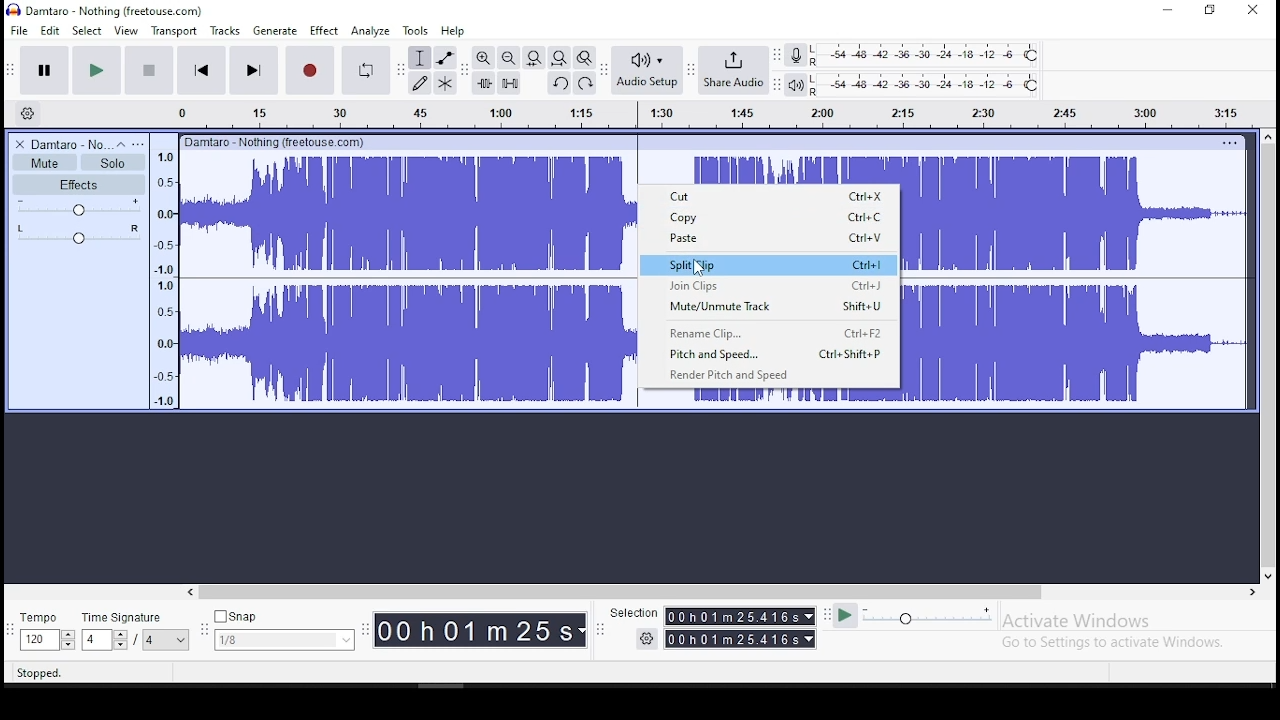 Image resolution: width=1280 pixels, height=720 pixels. I want to click on file, so click(20, 29).